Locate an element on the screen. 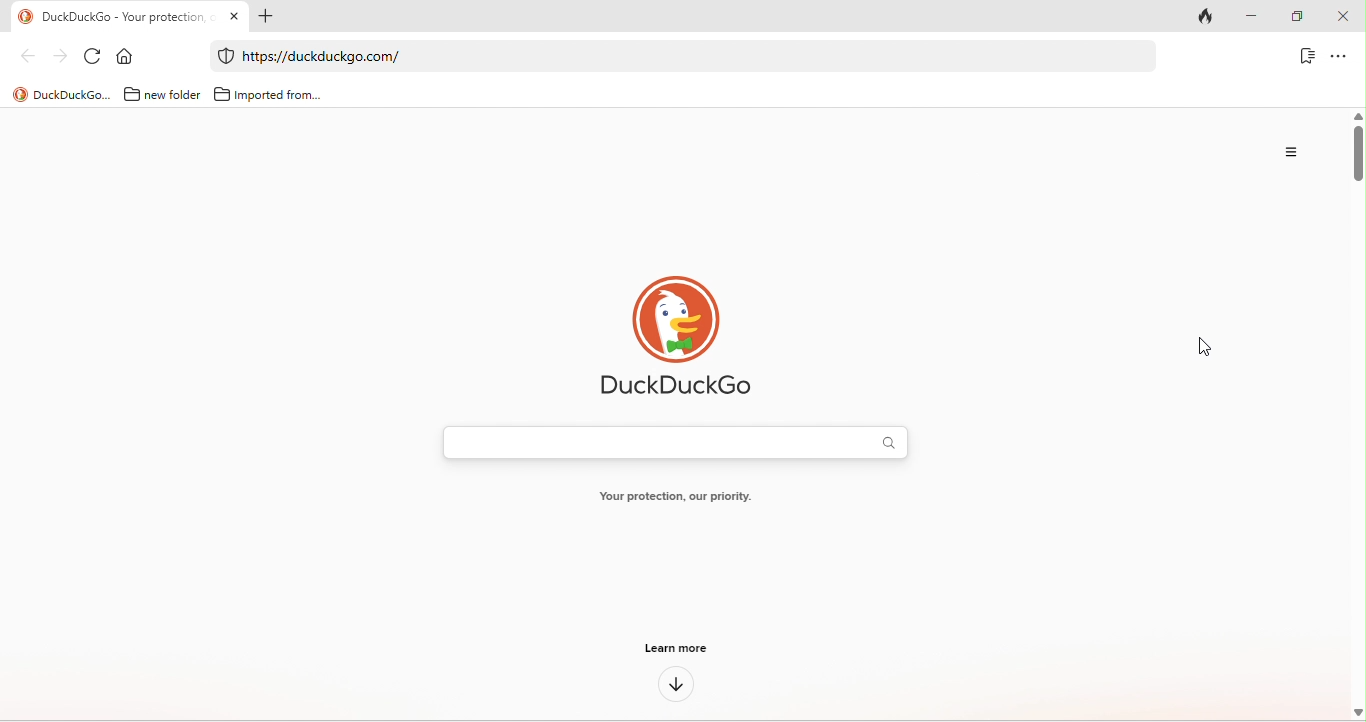 This screenshot has height=722, width=1366. close is located at coordinates (1346, 17).